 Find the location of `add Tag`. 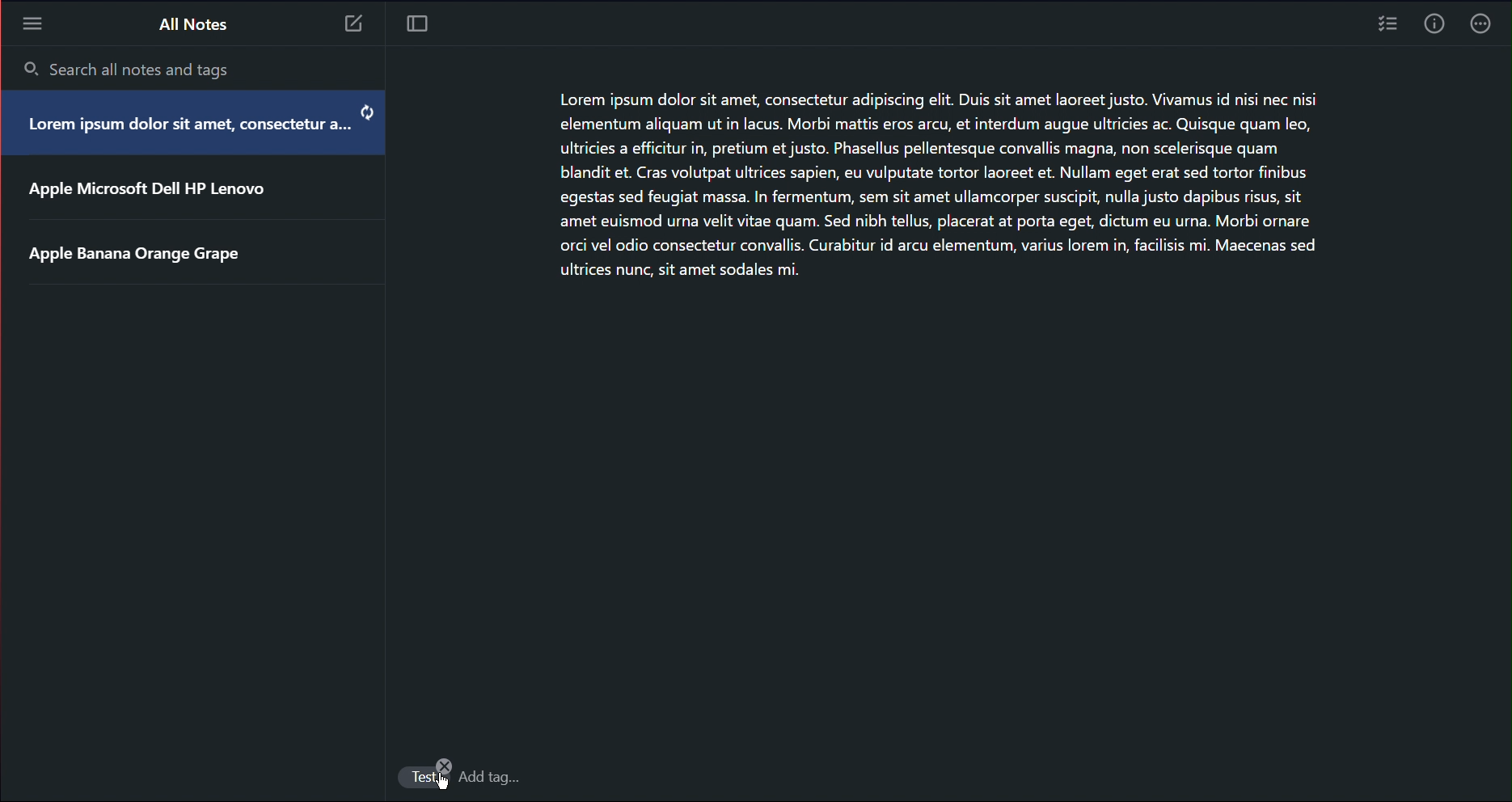

add Tag is located at coordinates (491, 776).